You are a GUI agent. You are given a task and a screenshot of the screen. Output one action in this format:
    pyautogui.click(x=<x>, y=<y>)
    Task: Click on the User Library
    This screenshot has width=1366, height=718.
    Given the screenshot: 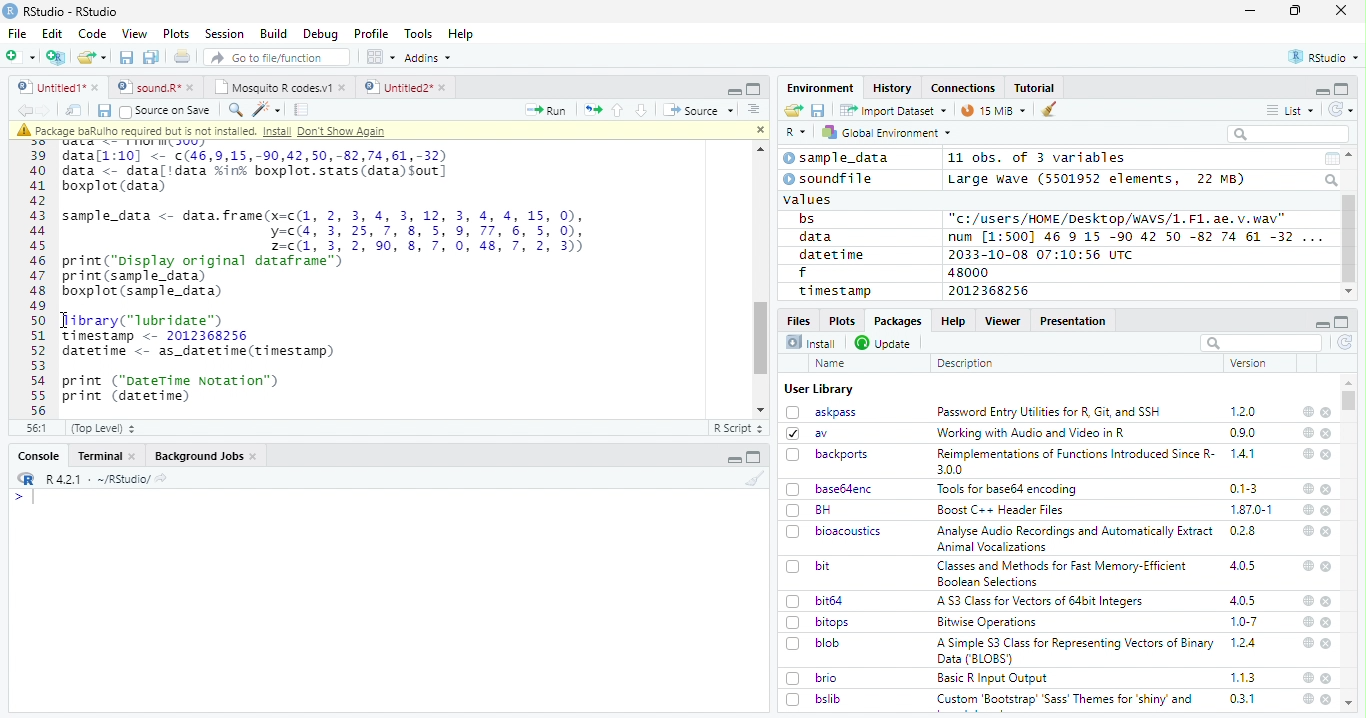 What is the action you would take?
    pyautogui.click(x=819, y=389)
    